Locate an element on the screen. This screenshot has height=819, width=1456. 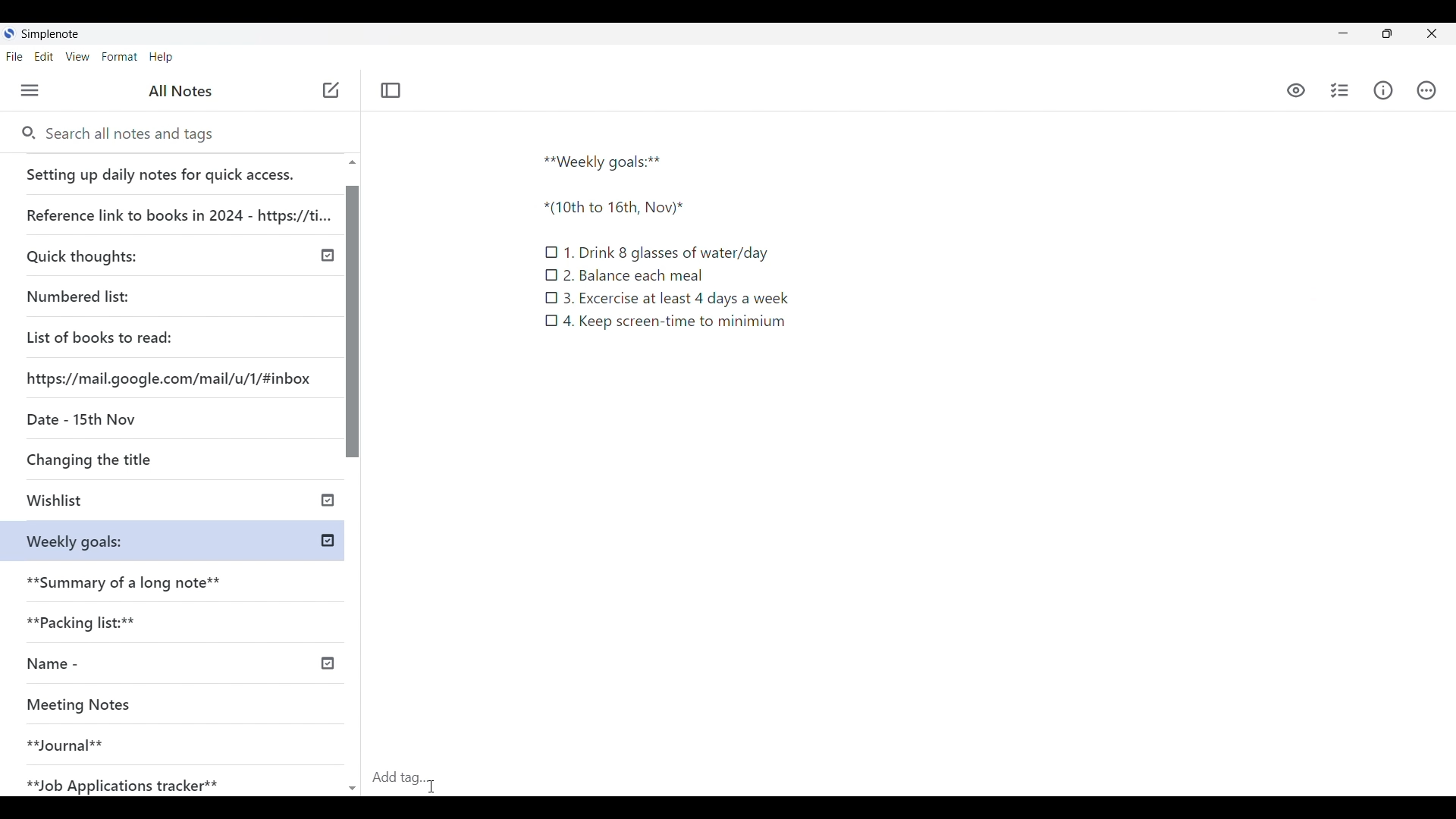
Wishlist is located at coordinates (127, 502).